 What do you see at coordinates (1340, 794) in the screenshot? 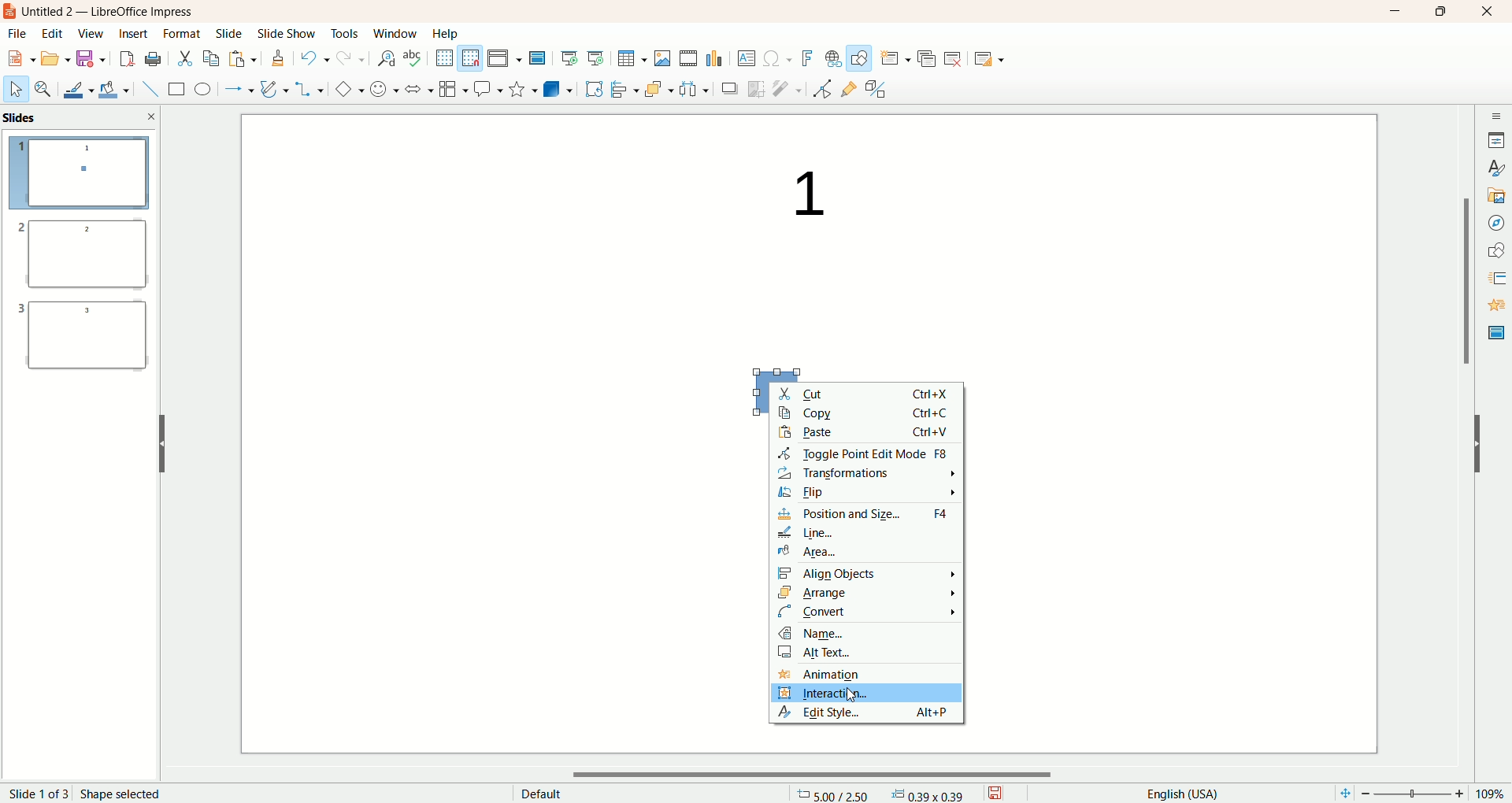
I see `fit page to current window` at bounding box center [1340, 794].